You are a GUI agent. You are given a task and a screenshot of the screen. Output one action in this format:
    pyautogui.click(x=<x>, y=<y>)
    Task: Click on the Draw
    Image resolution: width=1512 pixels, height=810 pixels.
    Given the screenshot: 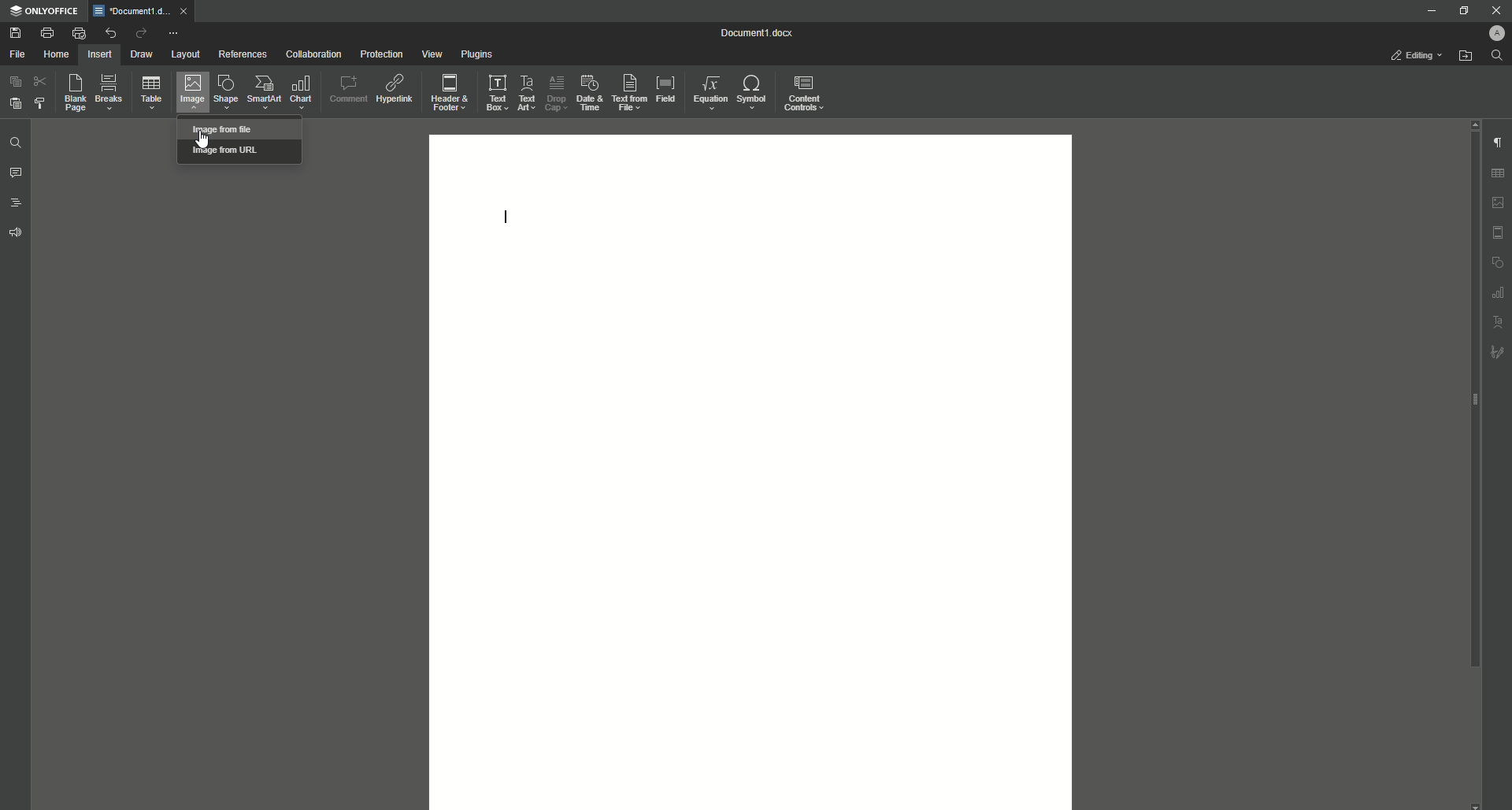 What is the action you would take?
    pyautogui.click(x=142, y=55)
    